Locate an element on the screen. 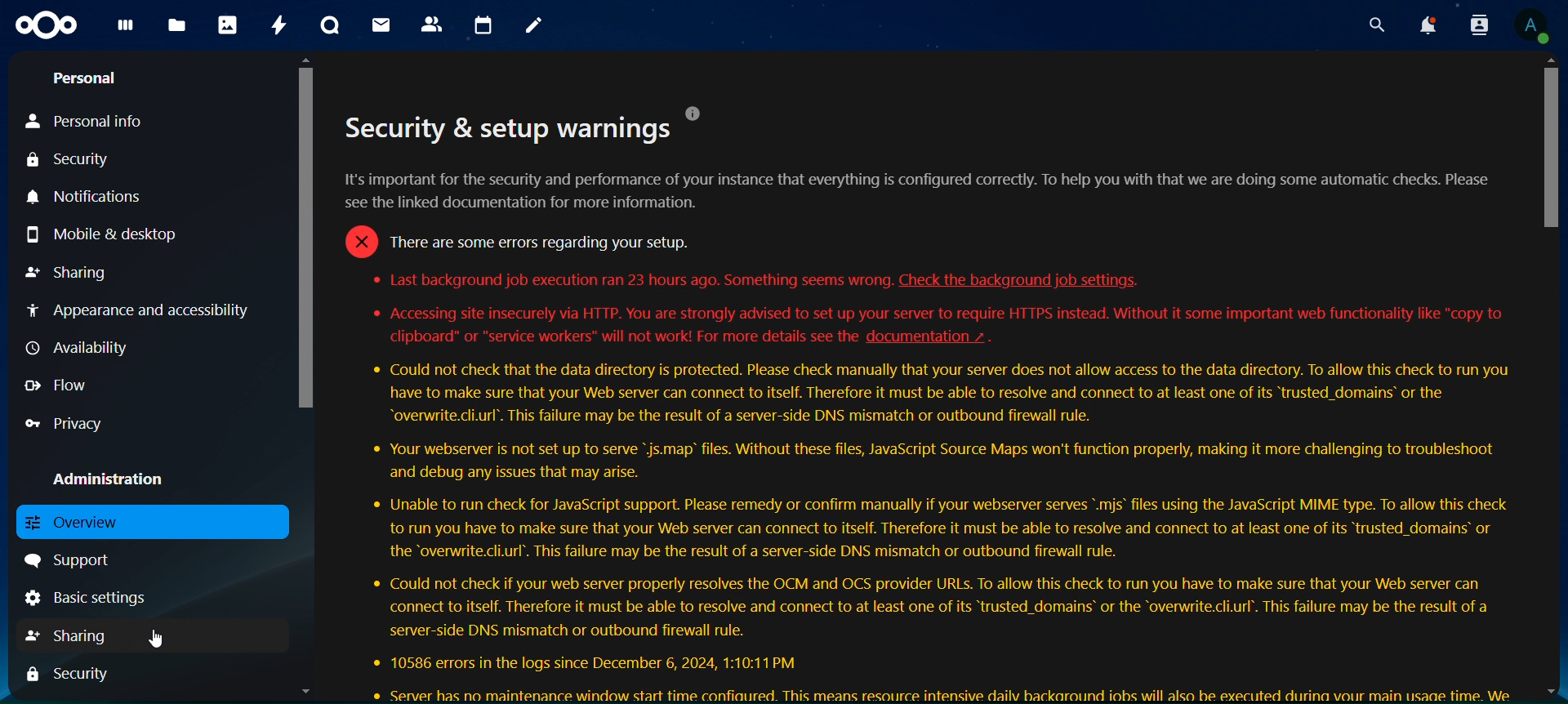 The width and height of the screenshot is (1568, 704). files is located at coordinates (178, 27).